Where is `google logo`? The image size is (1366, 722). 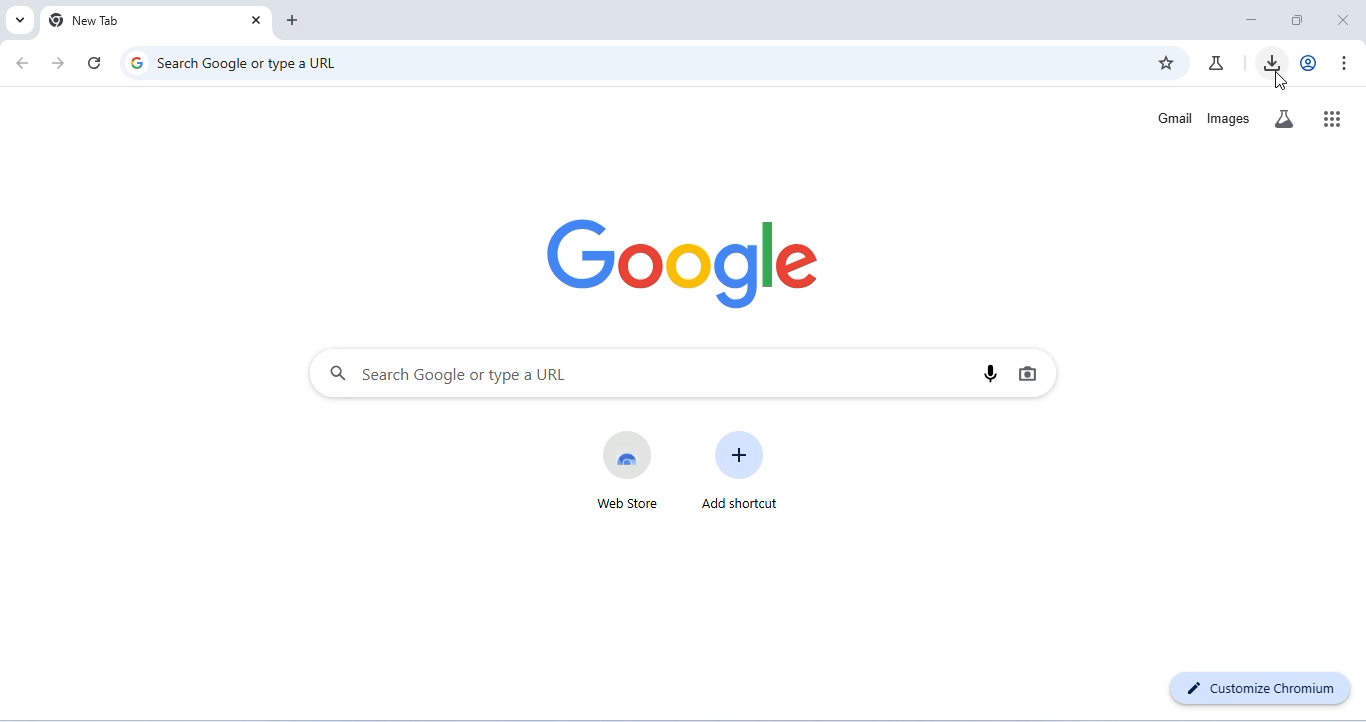 google logo is located at coordinates (680, 261).